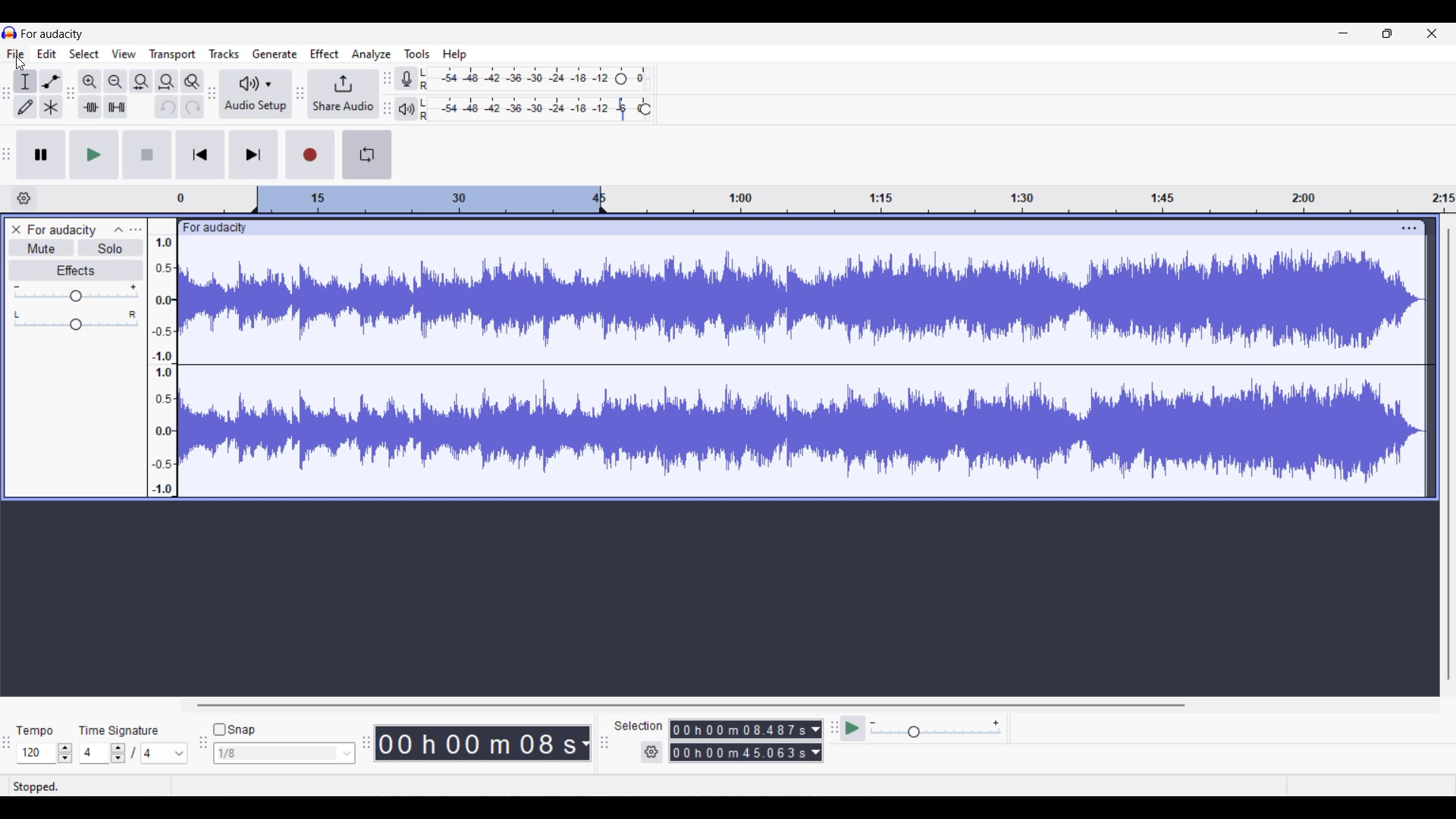  What do you see at coordinates (76, 293) in the screenshot?
I see `Volume scale` at bounding box center [76, 293].